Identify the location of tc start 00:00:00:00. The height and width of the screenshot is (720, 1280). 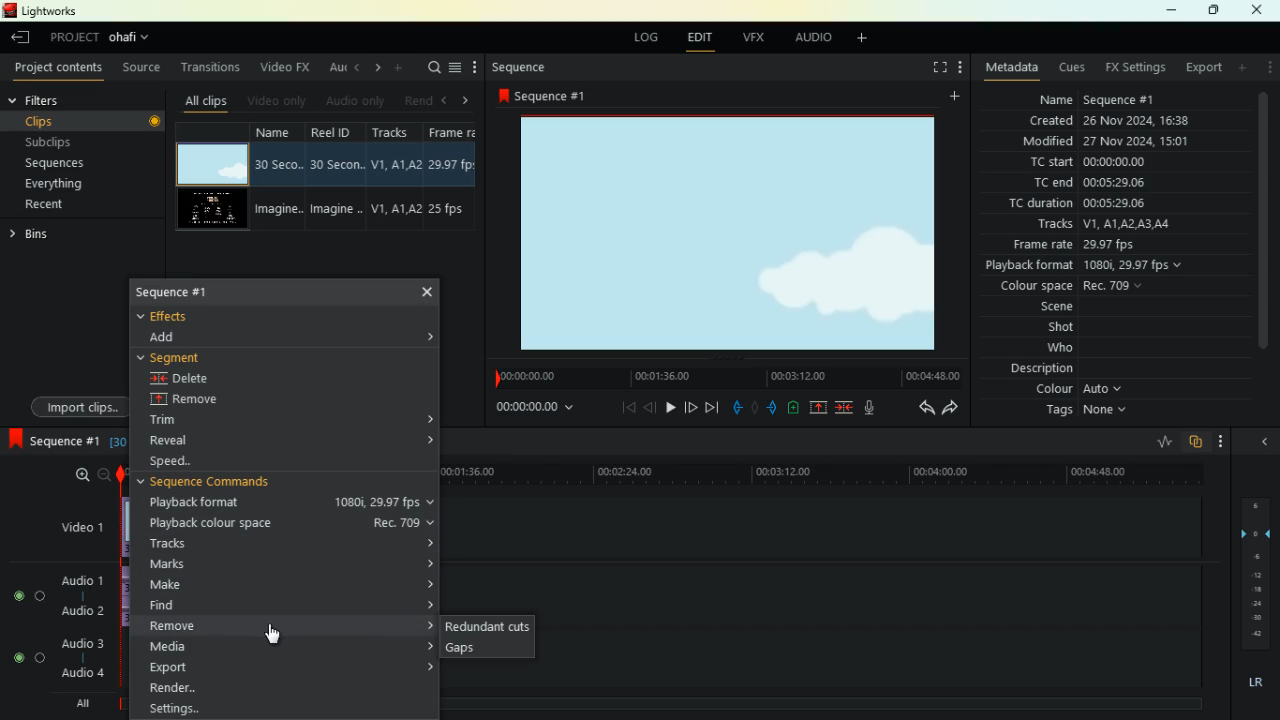
(1113, 163).